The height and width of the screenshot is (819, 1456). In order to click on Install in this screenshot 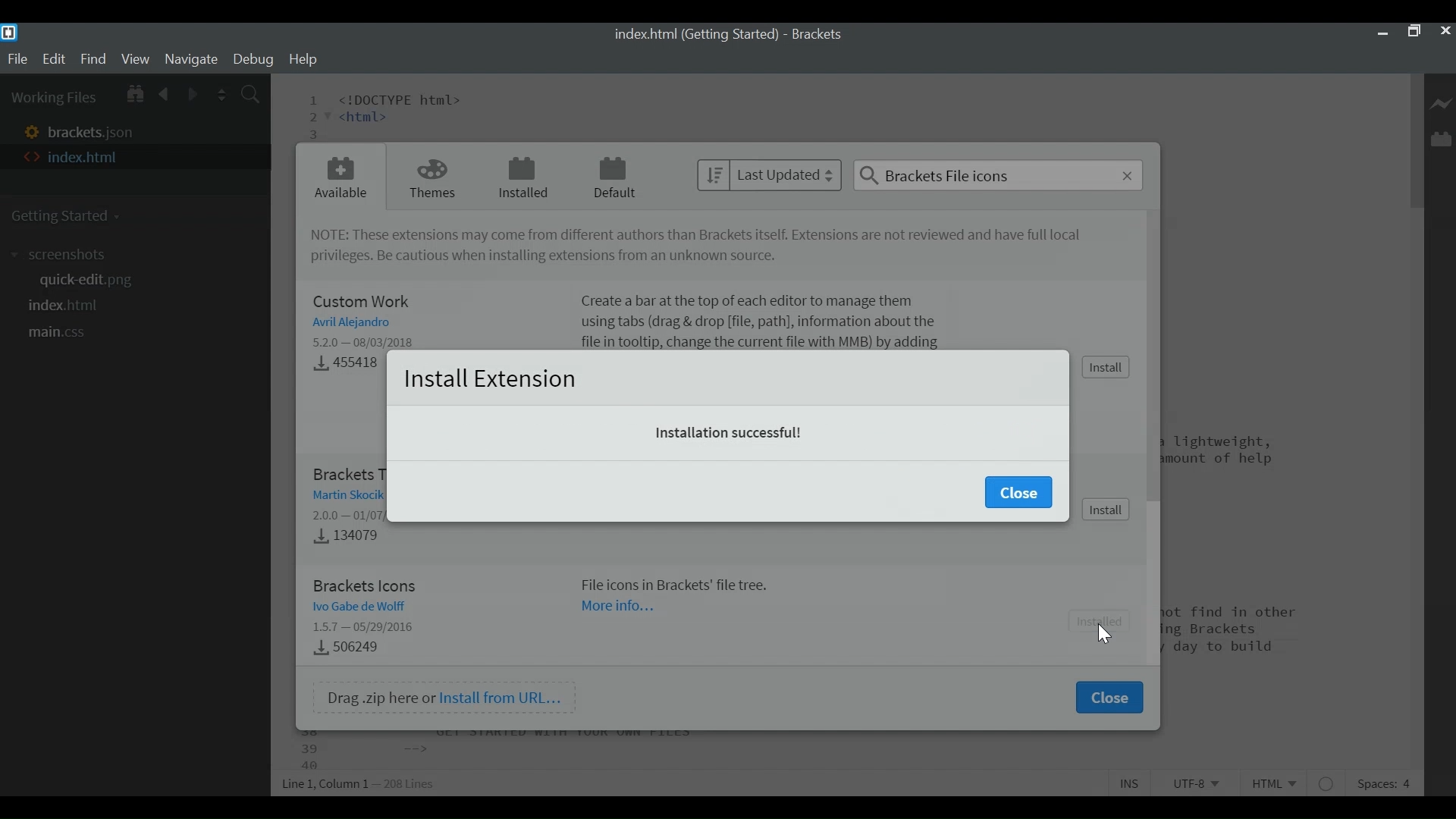, I will do `click(1105, 510)`.